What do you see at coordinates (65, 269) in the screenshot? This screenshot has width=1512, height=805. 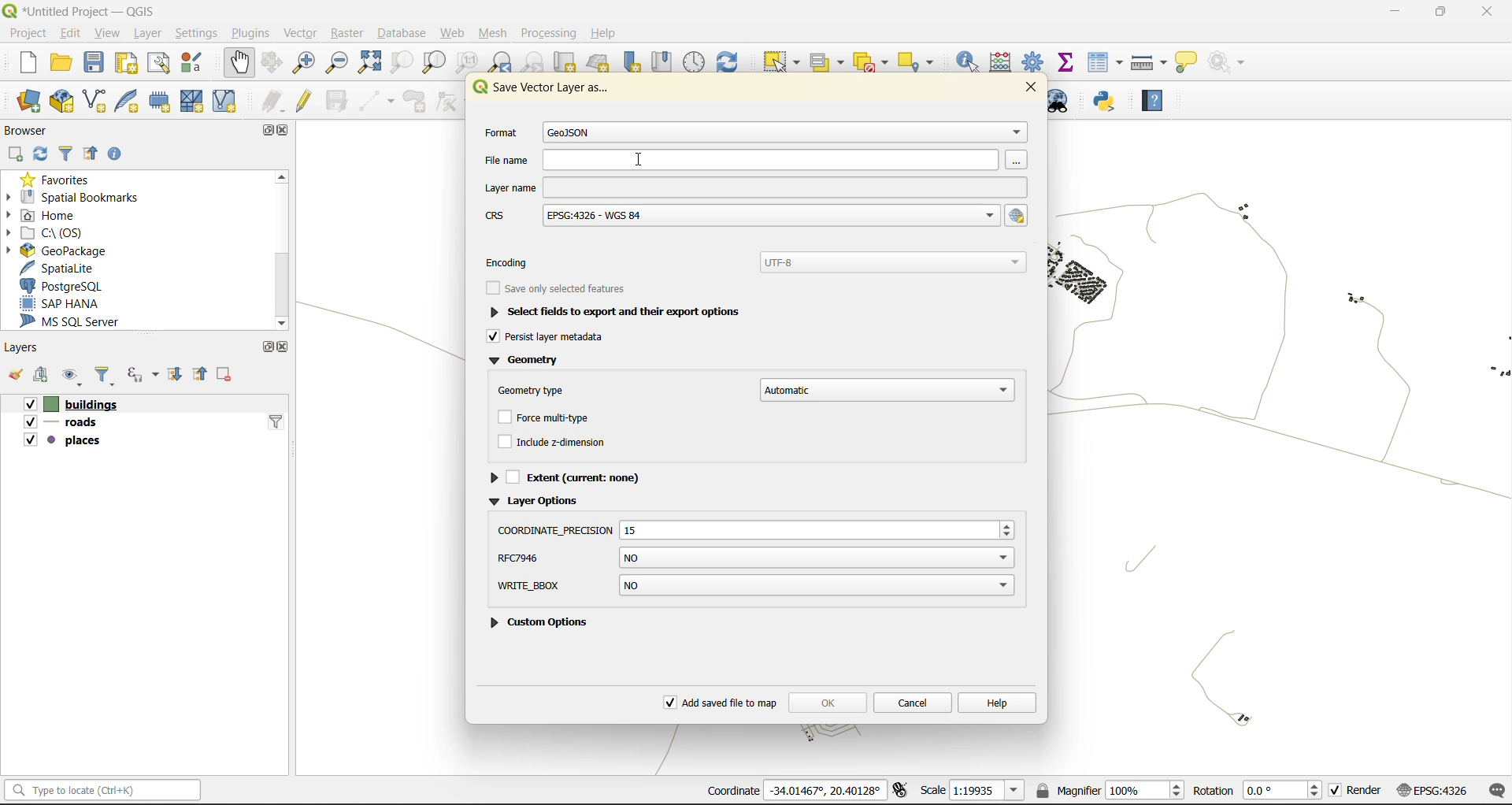 I see `spatialite` at bounding box center [65, 269].